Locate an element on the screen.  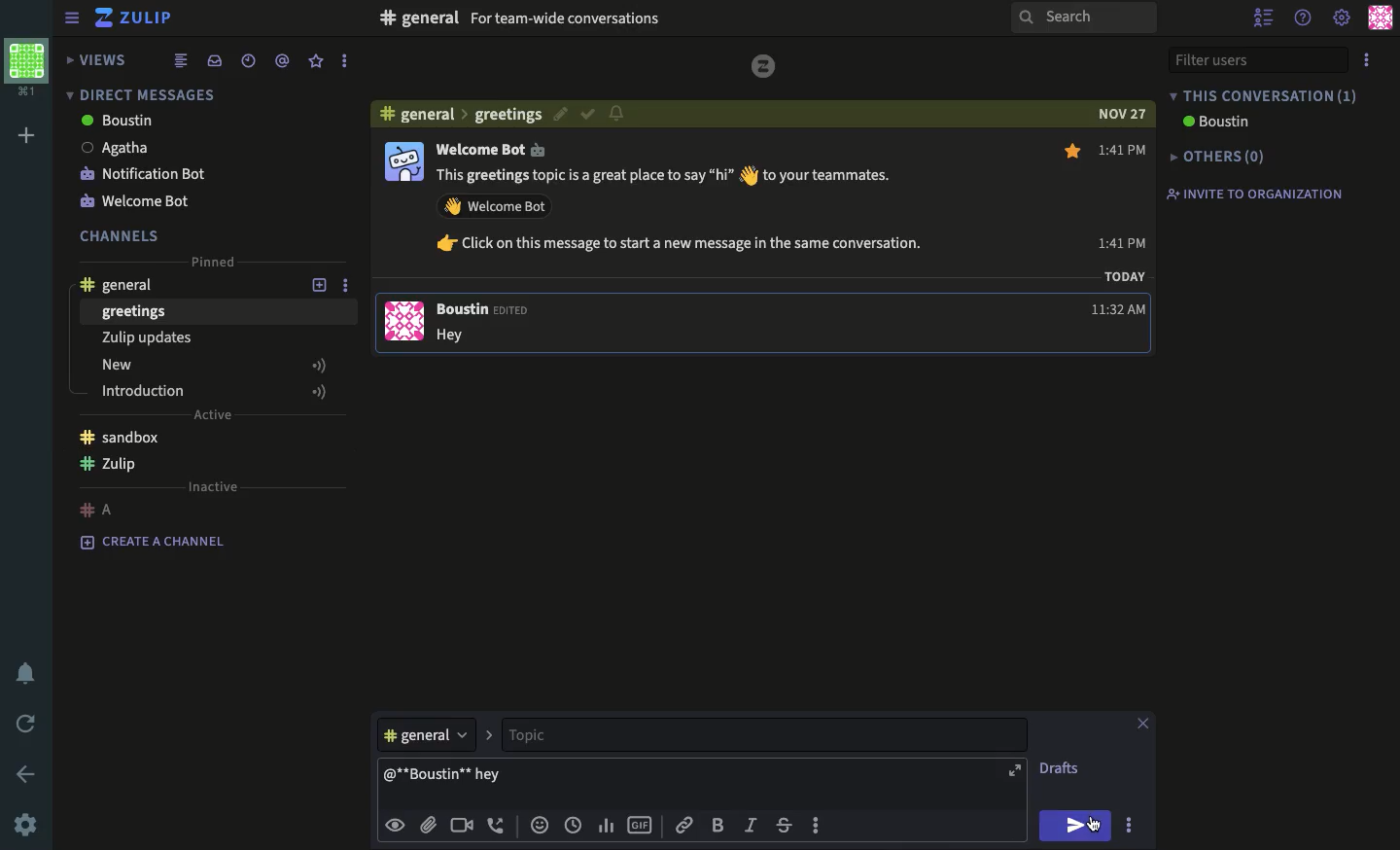
notification is located at coordinates (30, 674).